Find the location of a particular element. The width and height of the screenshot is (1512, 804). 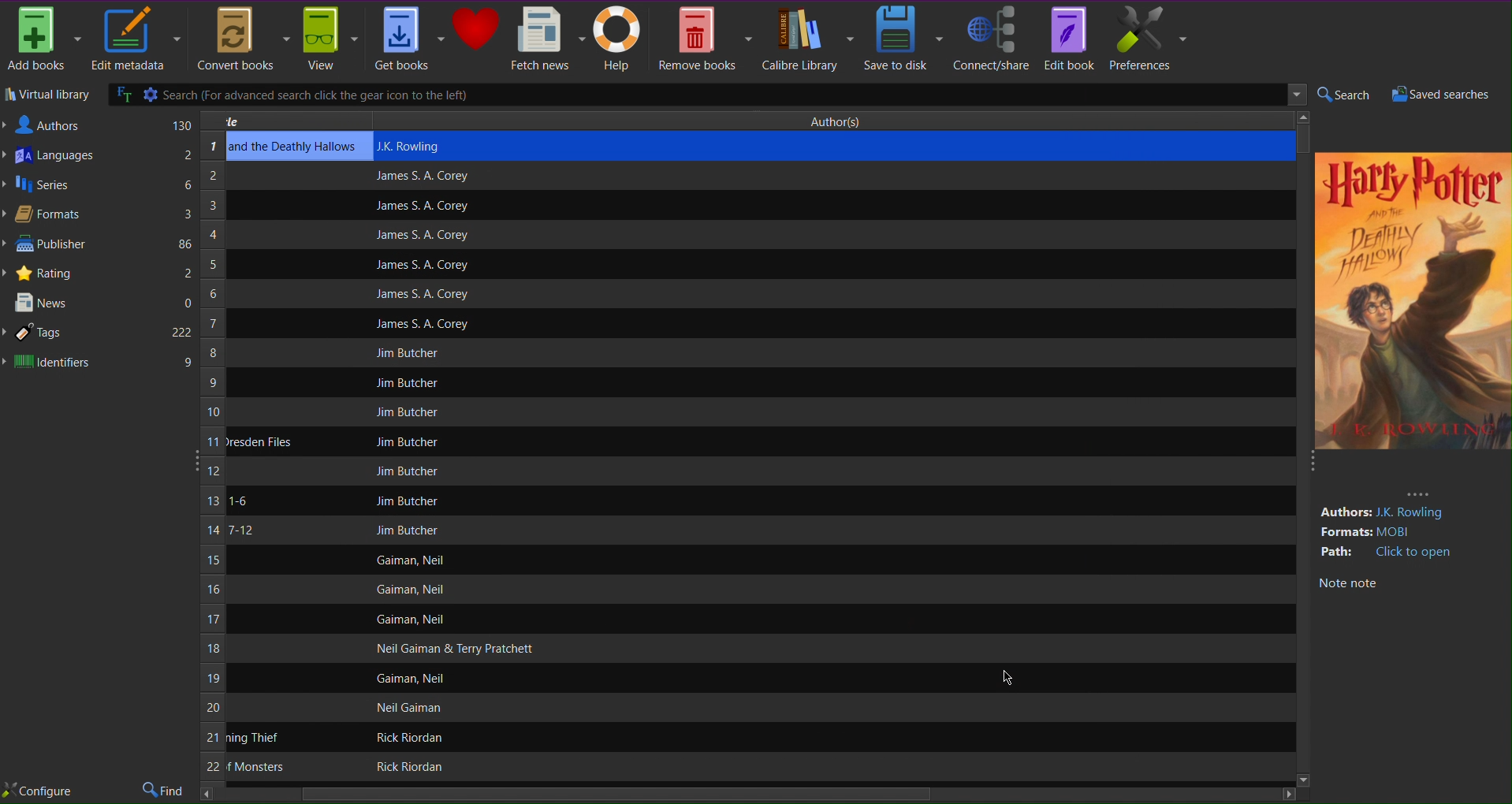

Search (For advanced search click the gear icon to the left) is located at coordinates (662, 95).